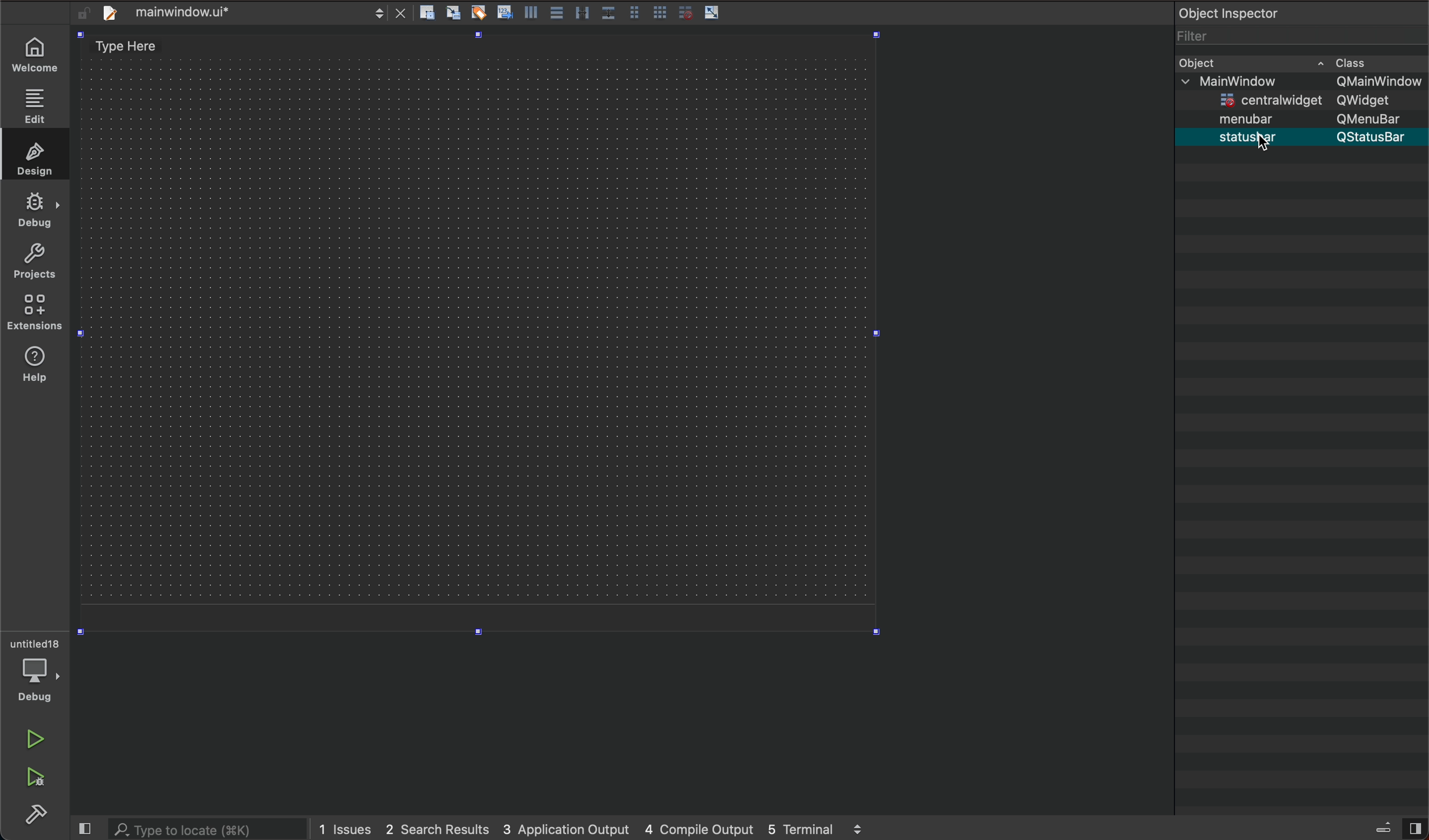 The width and height of the screenshot is (1429, 840). I want to click on run, so click(37, 740).